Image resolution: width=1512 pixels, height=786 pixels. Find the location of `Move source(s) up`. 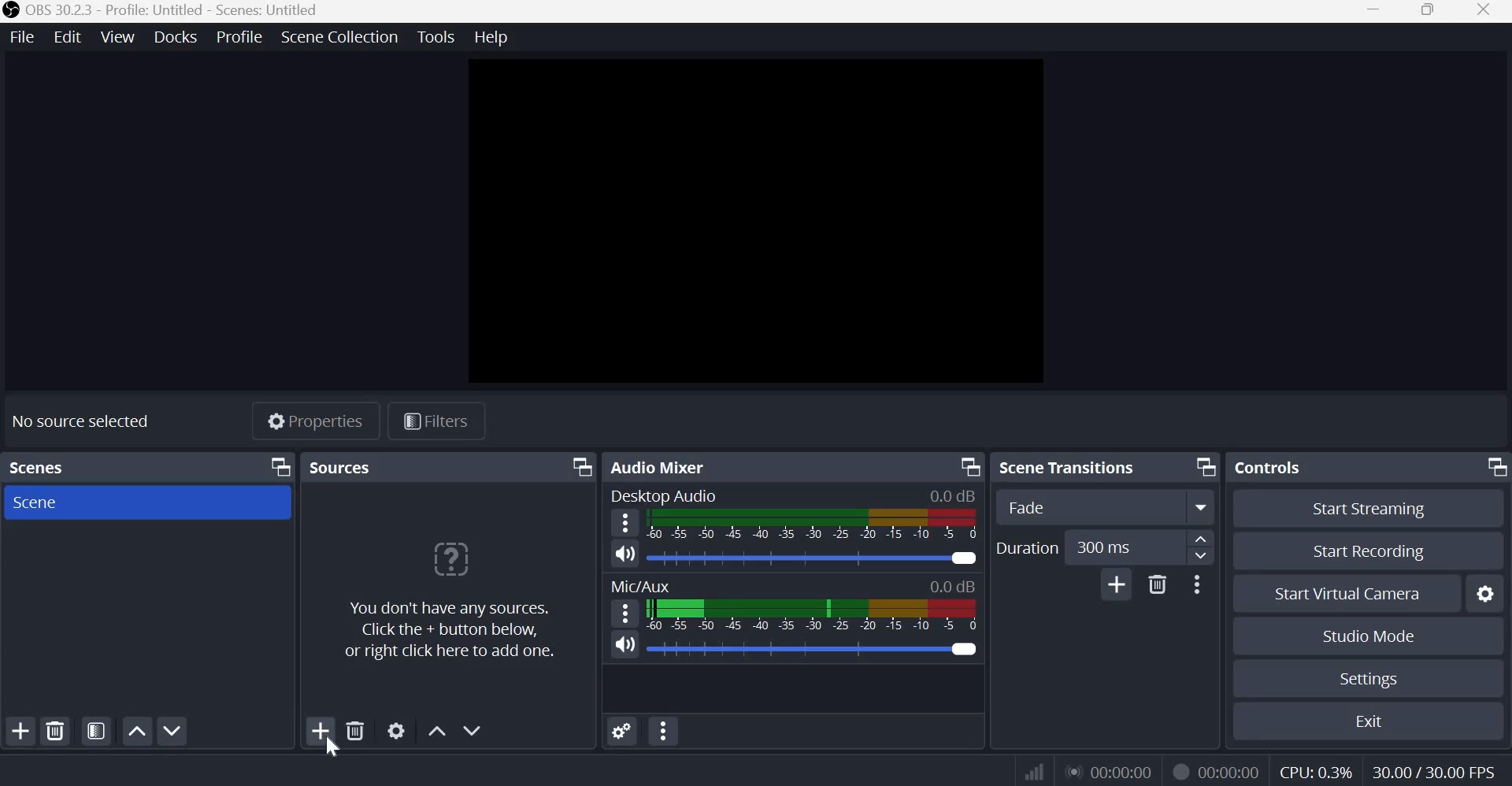

Move source(s) up is located at coordinates (437, 729).